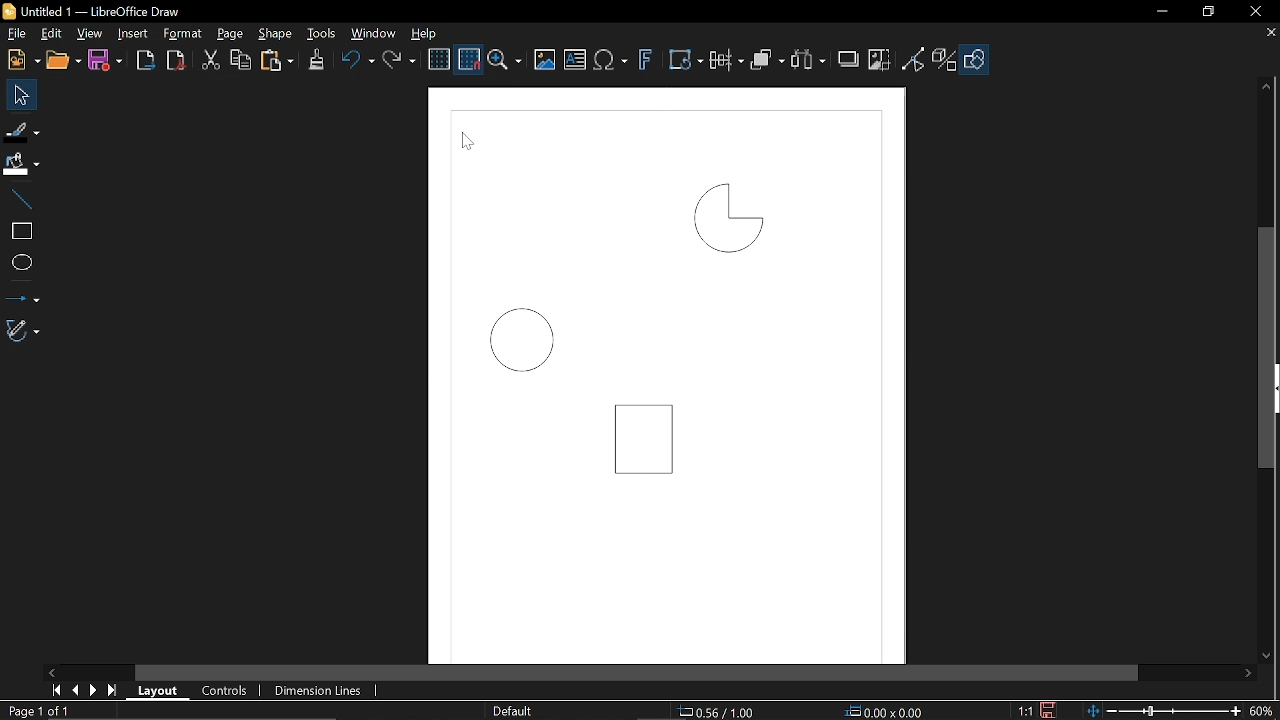 This screenshot has width=1280, height=720. Describe the element at coordinates (133, 32) in the screenshot. I see `Insert` at that location.